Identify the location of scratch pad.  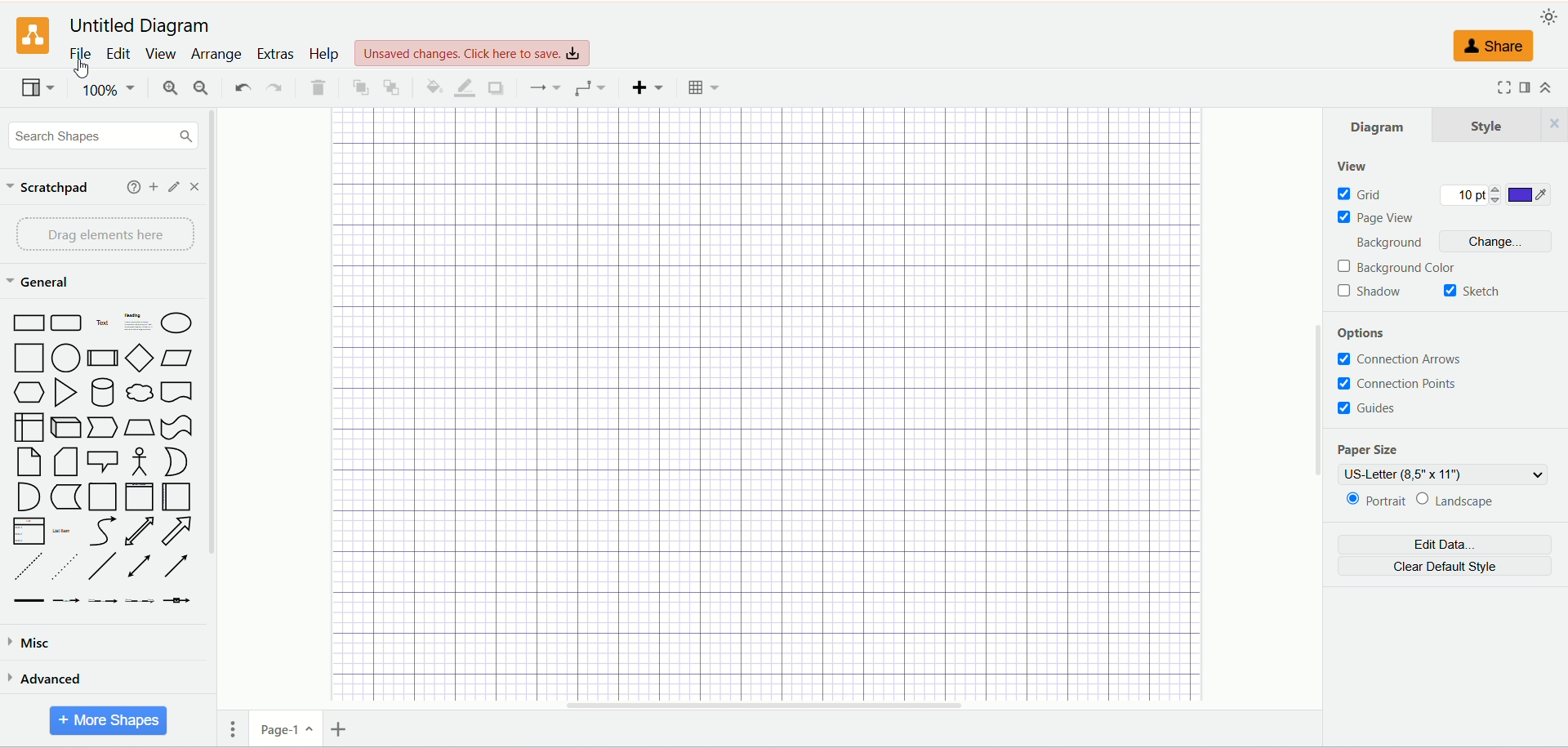
(49, 189).